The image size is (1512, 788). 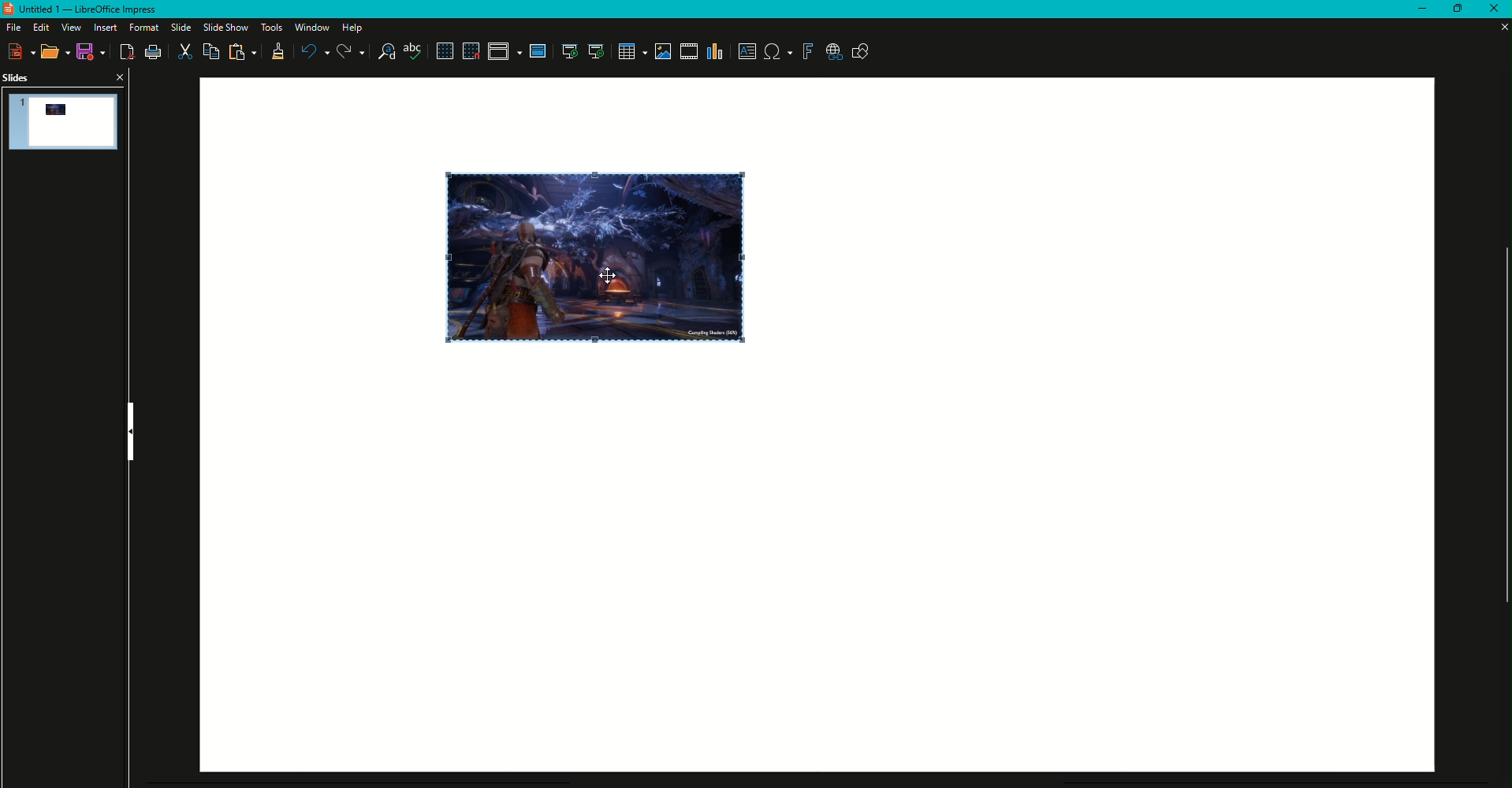 I want to click on Special Characters, so click(x=778, y=52).